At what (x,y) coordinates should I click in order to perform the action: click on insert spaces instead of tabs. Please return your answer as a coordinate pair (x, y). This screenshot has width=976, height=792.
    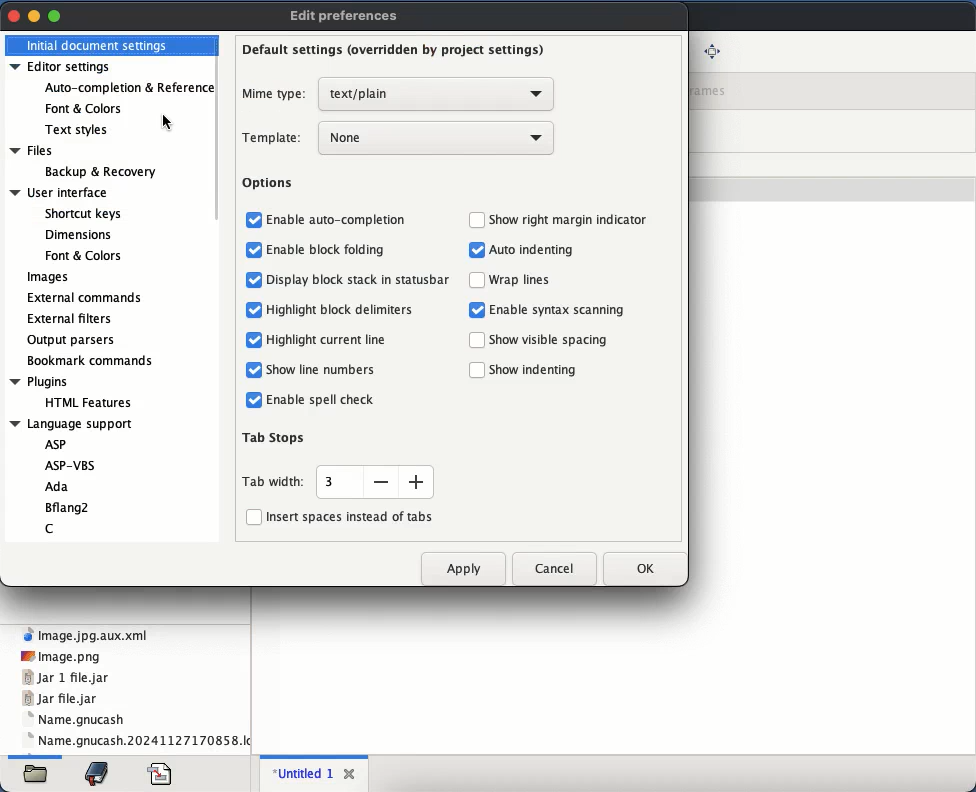
    Looking at the image, I should click on (351, 517).